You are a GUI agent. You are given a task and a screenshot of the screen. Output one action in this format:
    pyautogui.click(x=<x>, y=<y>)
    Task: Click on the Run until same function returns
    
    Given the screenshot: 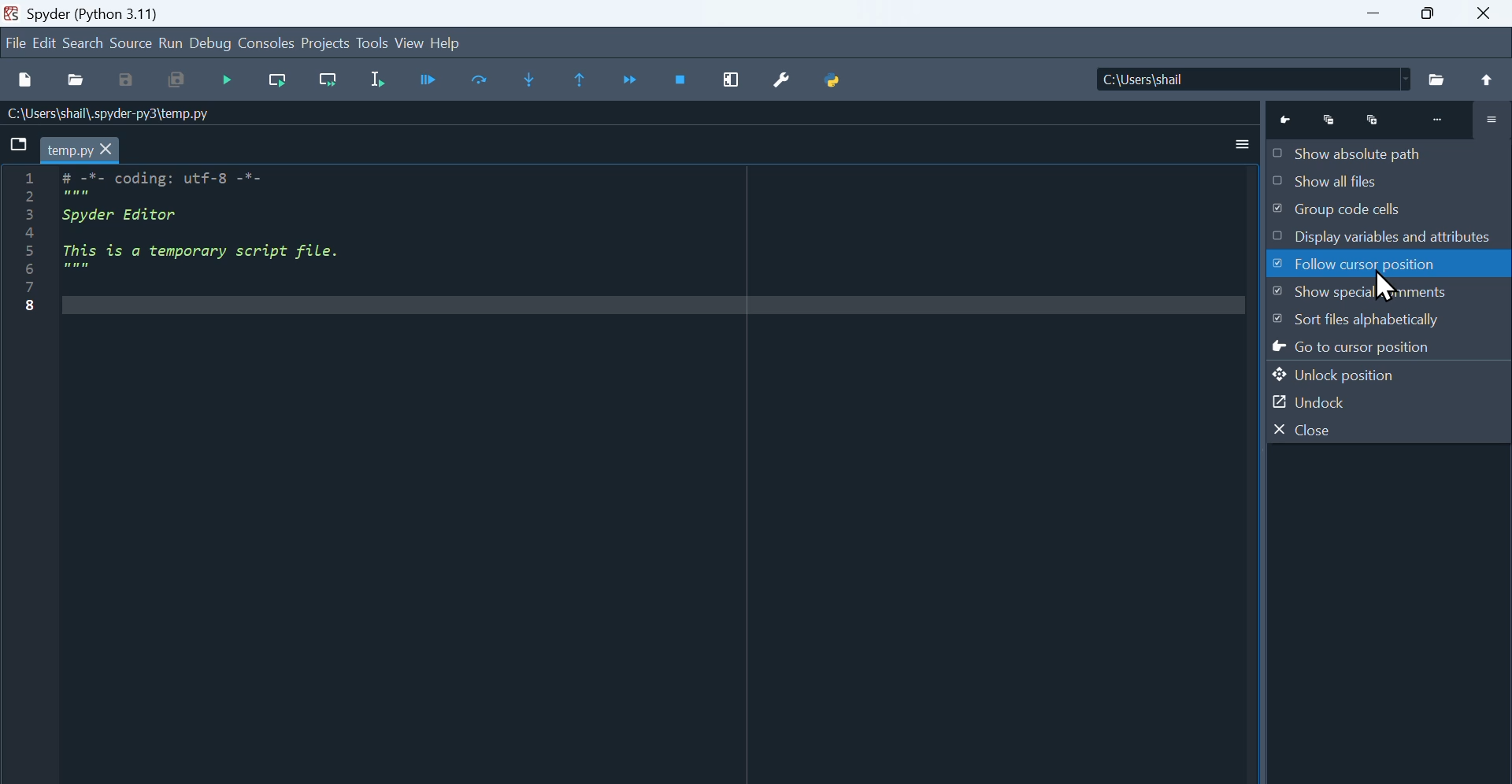 What is the action you would take?
    pyautogui.click(x=581, y=80)
    